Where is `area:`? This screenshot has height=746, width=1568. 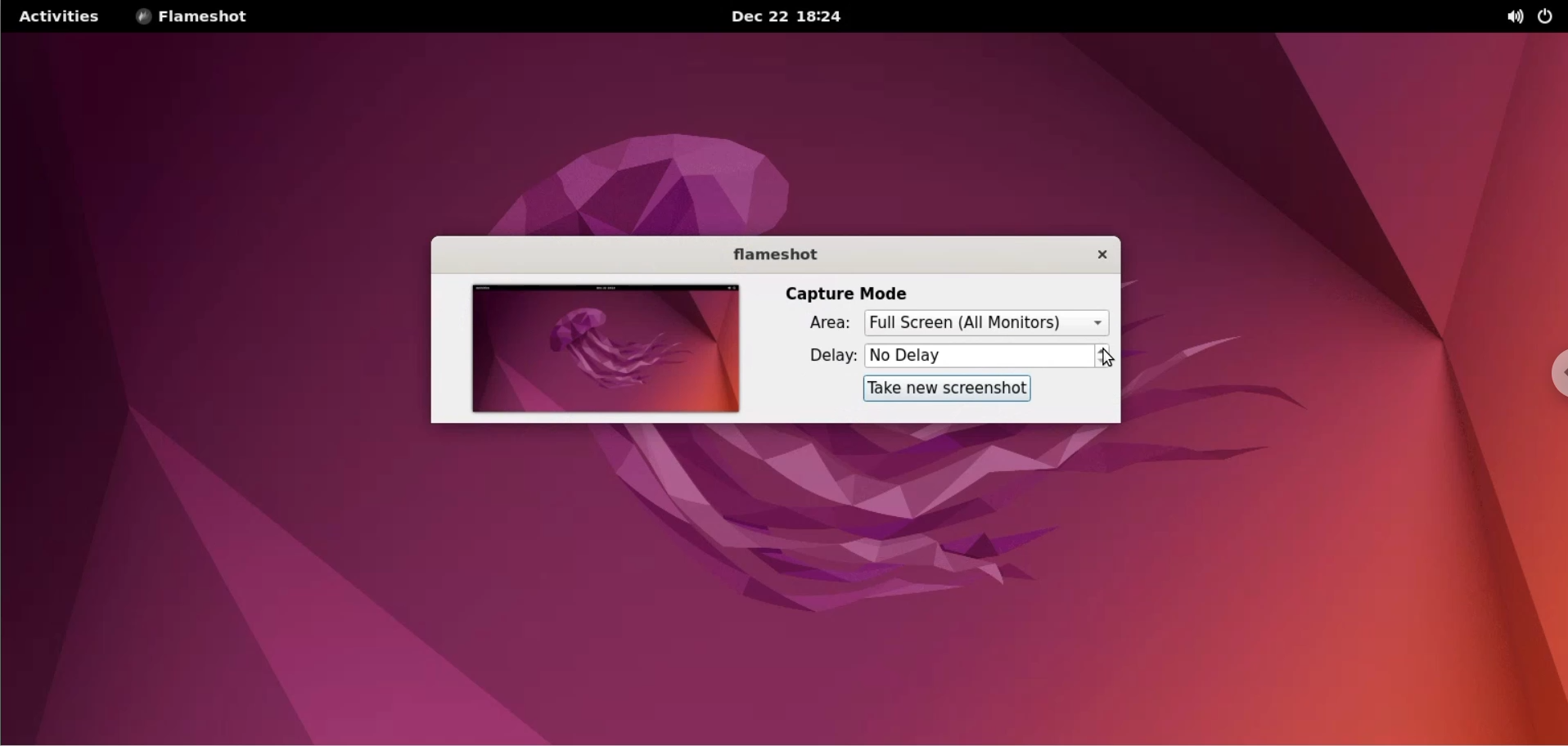
area: is located at coordinates (820, 323).